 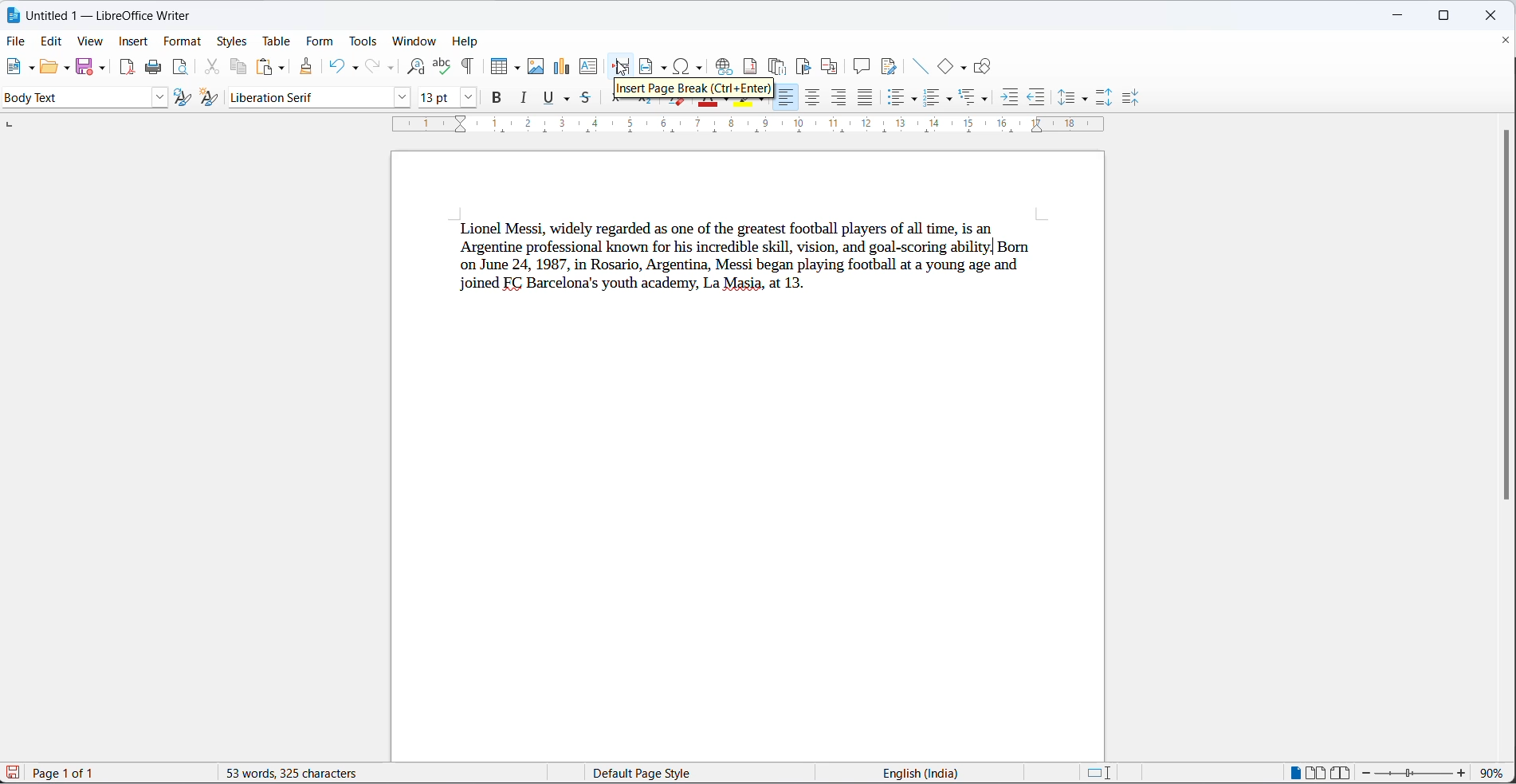 What do you see at coordinates (949, 101) in the screenshot?
I see `toggle ordered list options` at bounding box center [949, 101].